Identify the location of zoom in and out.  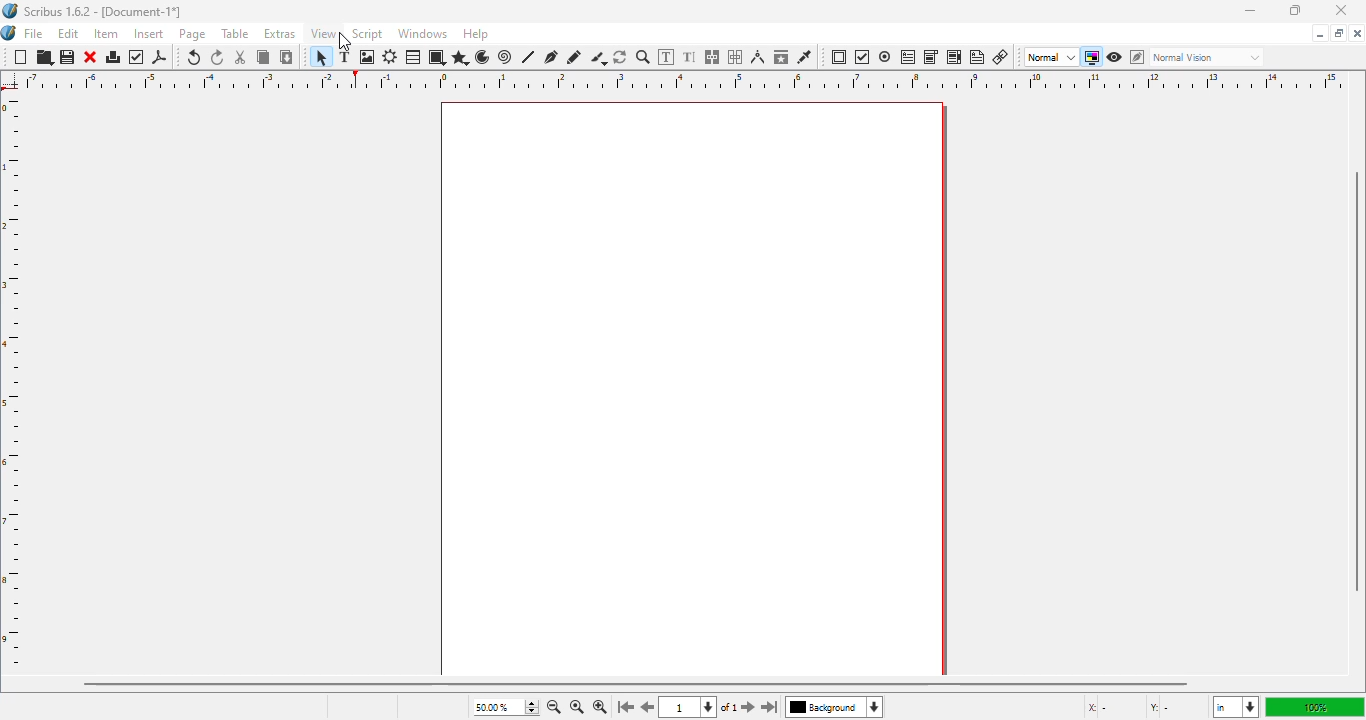
(530, 707).